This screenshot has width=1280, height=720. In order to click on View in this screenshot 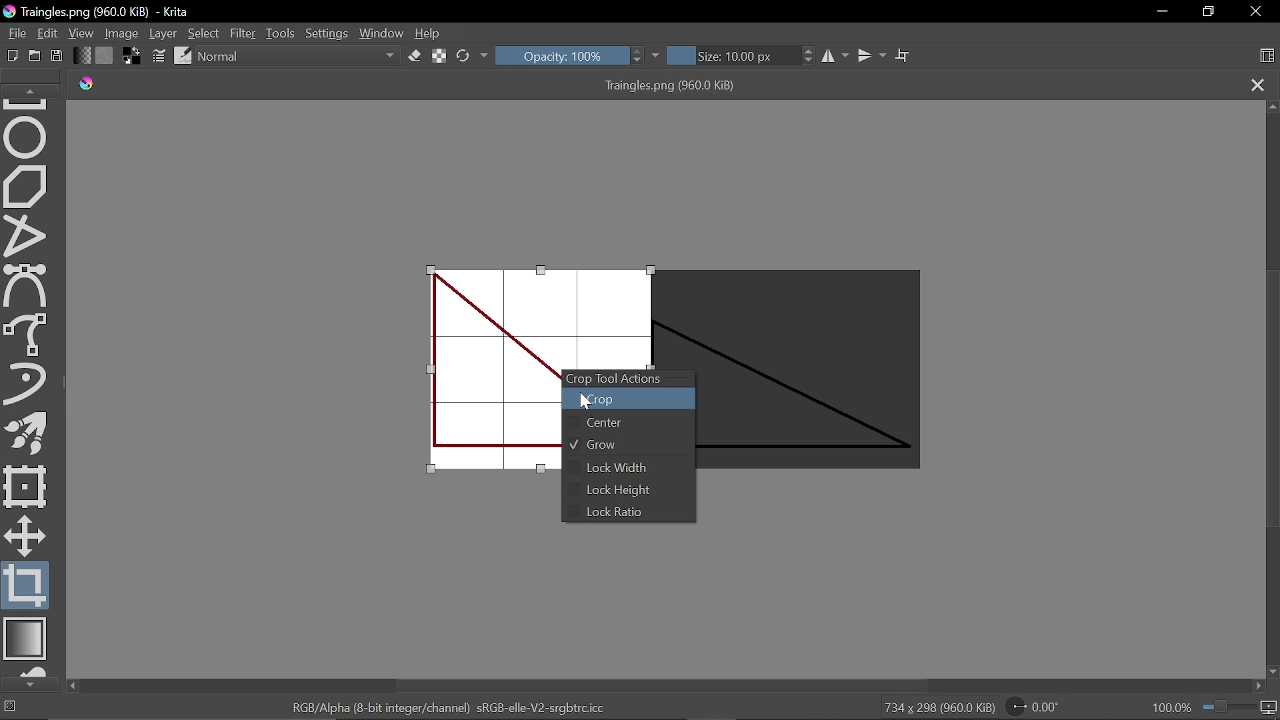, I will do `click(82, 33)`.